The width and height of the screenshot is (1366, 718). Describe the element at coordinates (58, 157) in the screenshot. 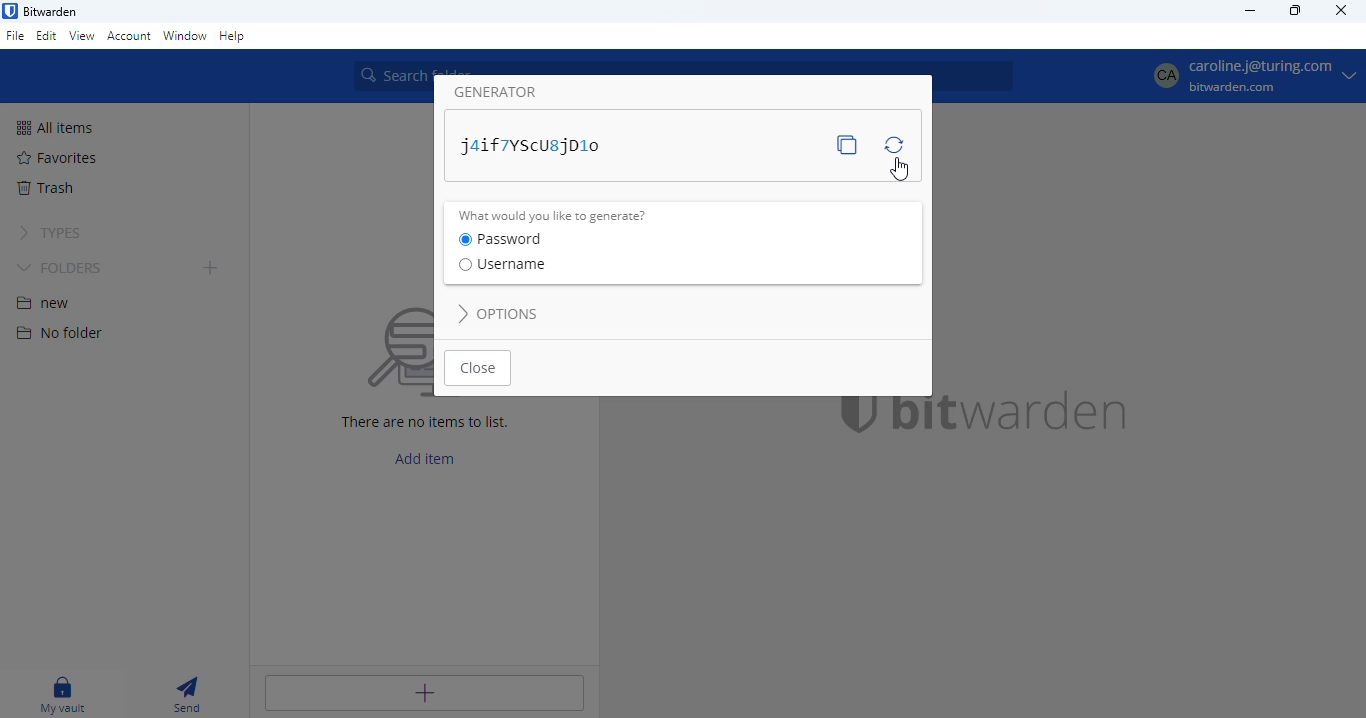

I see `favorites` at that location.